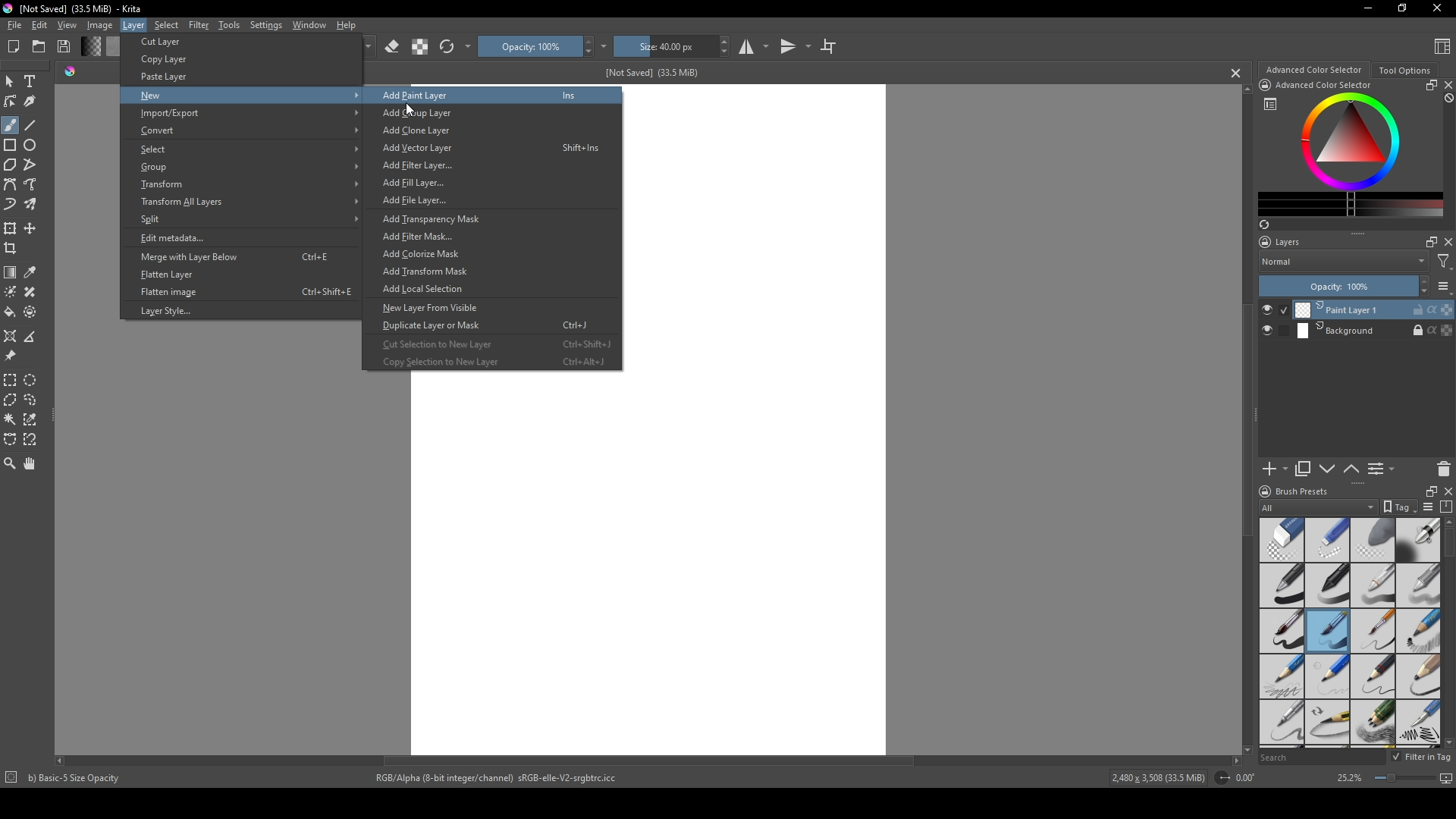 Image resolution: width=1456 pixels, height=819 pixels. What do you see at coordinates (1236, 761) in the screenshot?
I see `scroll right` at bounding box center [1236, 761].